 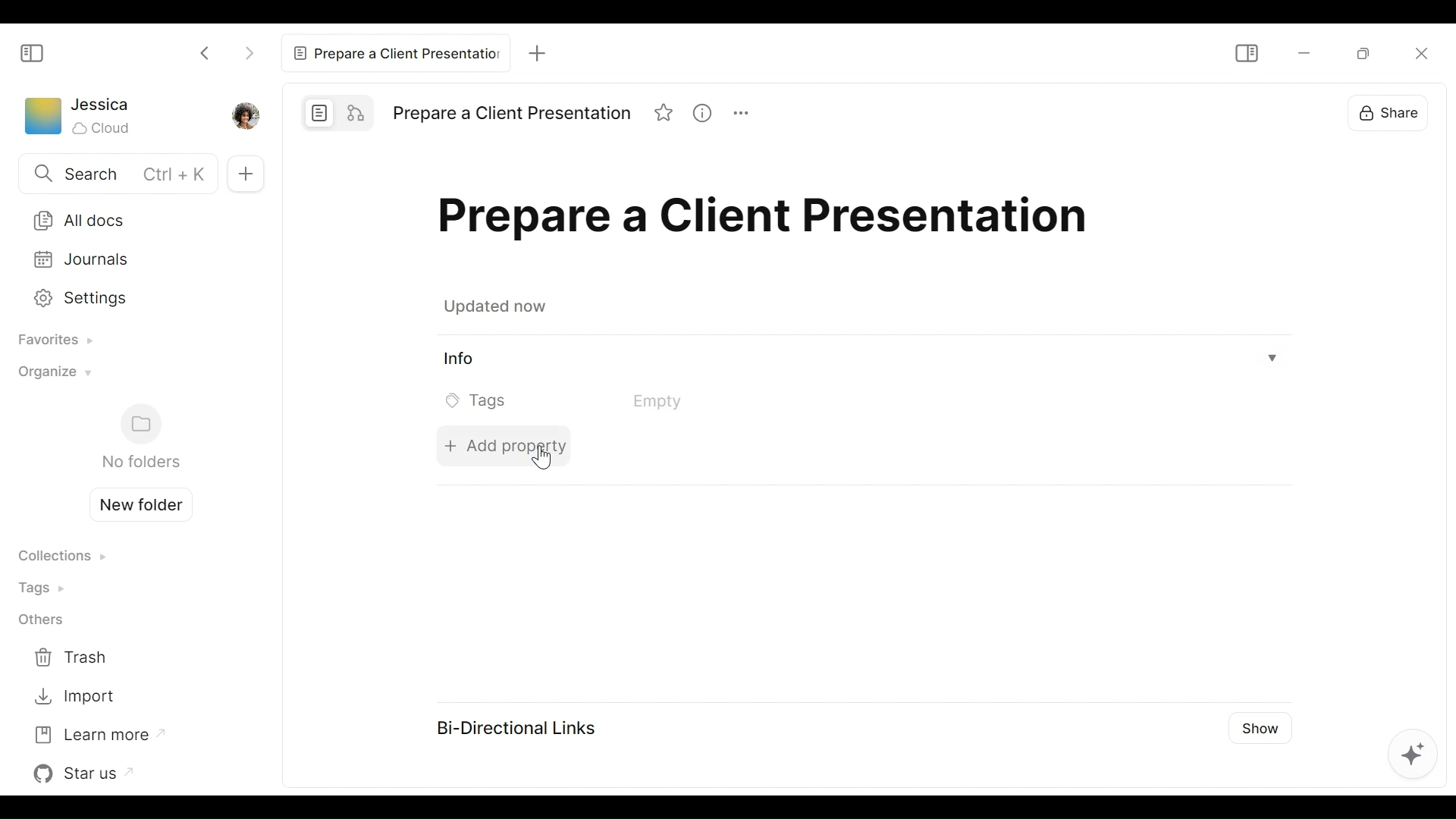 What do you see at coordinates (1245, 53) in the screenshot?
I see `Show/Hide Sidebar` at bounding box center [1245, 53].